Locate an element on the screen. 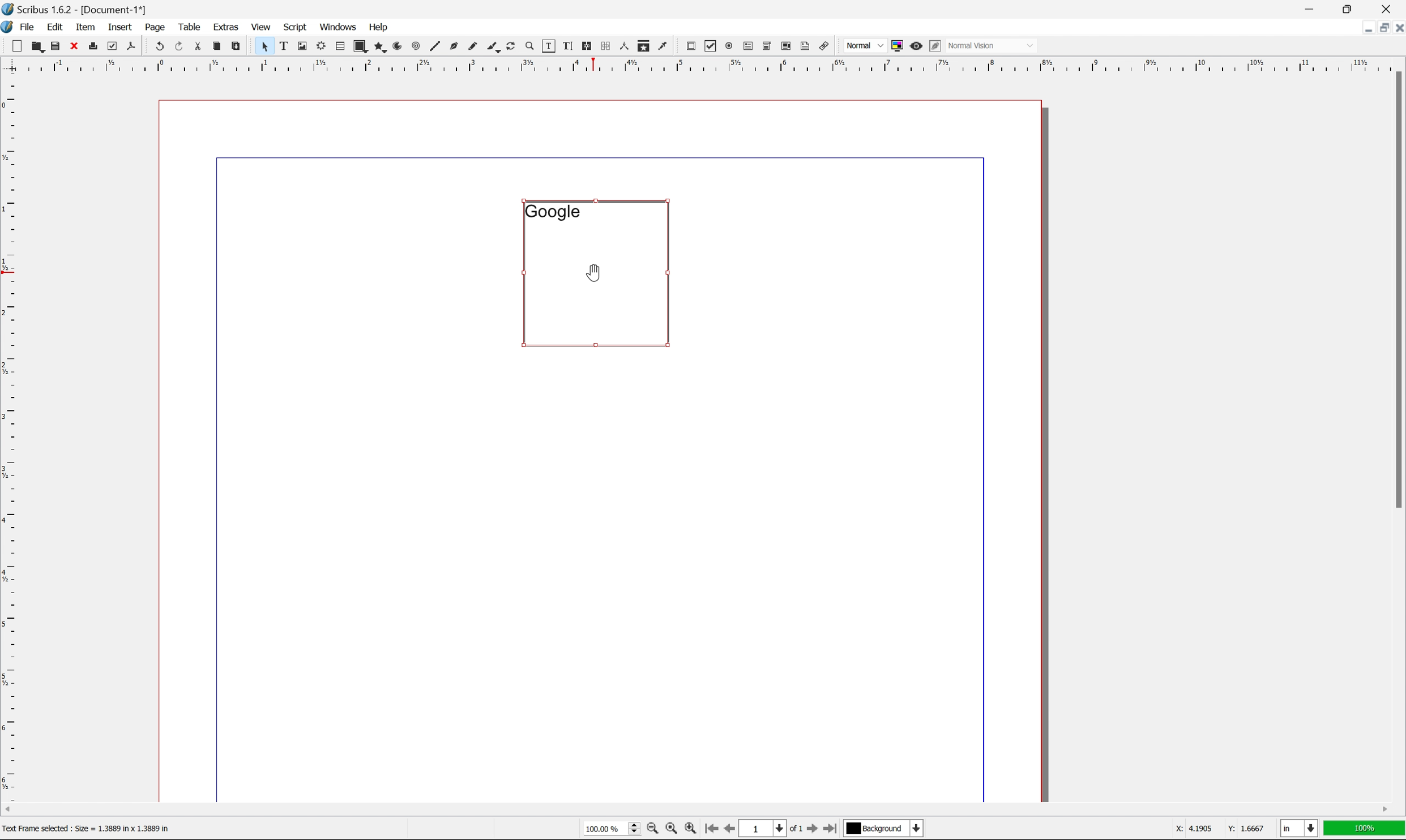  restore down is located at coordinates (1351, 8).